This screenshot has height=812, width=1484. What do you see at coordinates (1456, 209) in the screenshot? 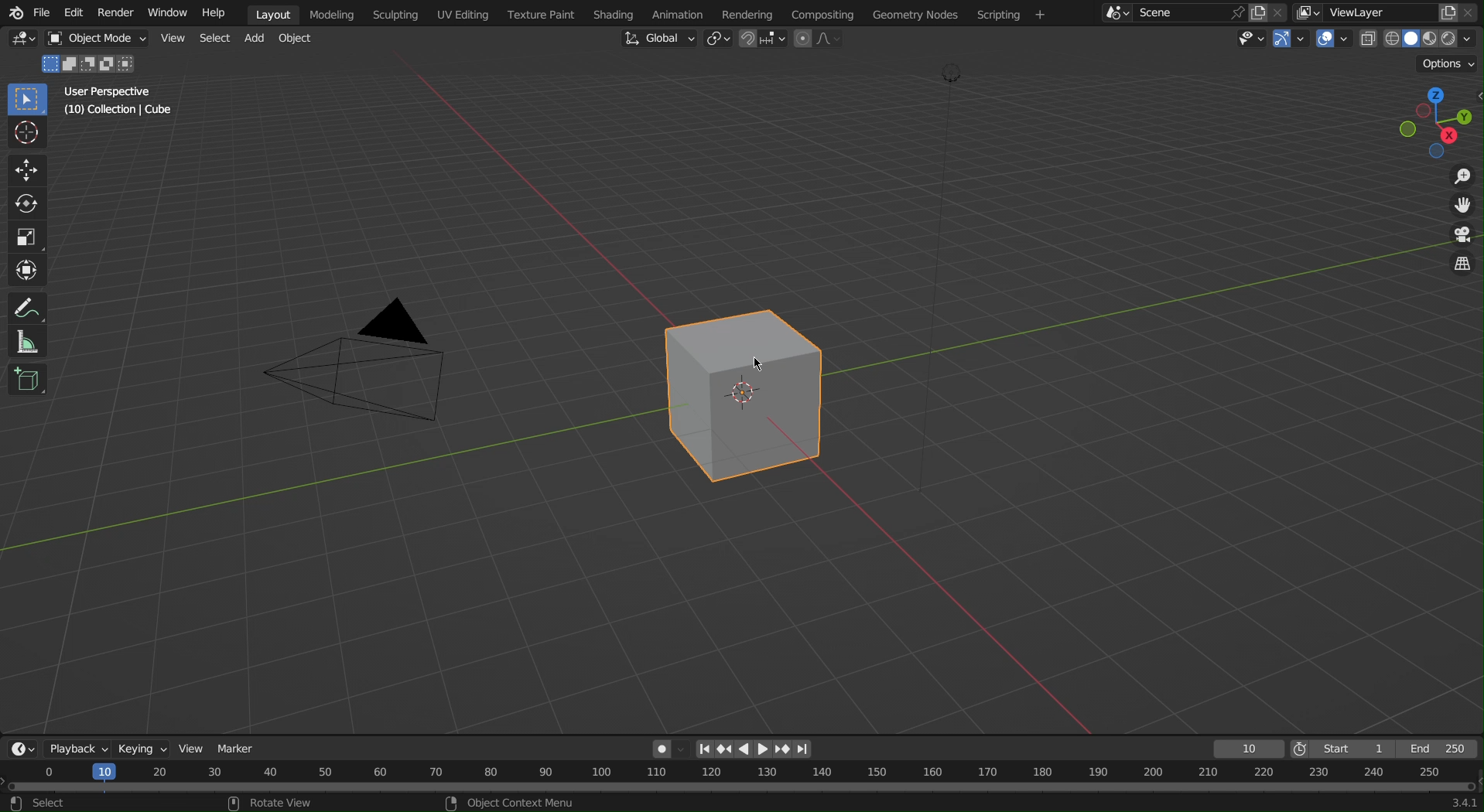
I see `Move View` at bounding box center [1456, 209].